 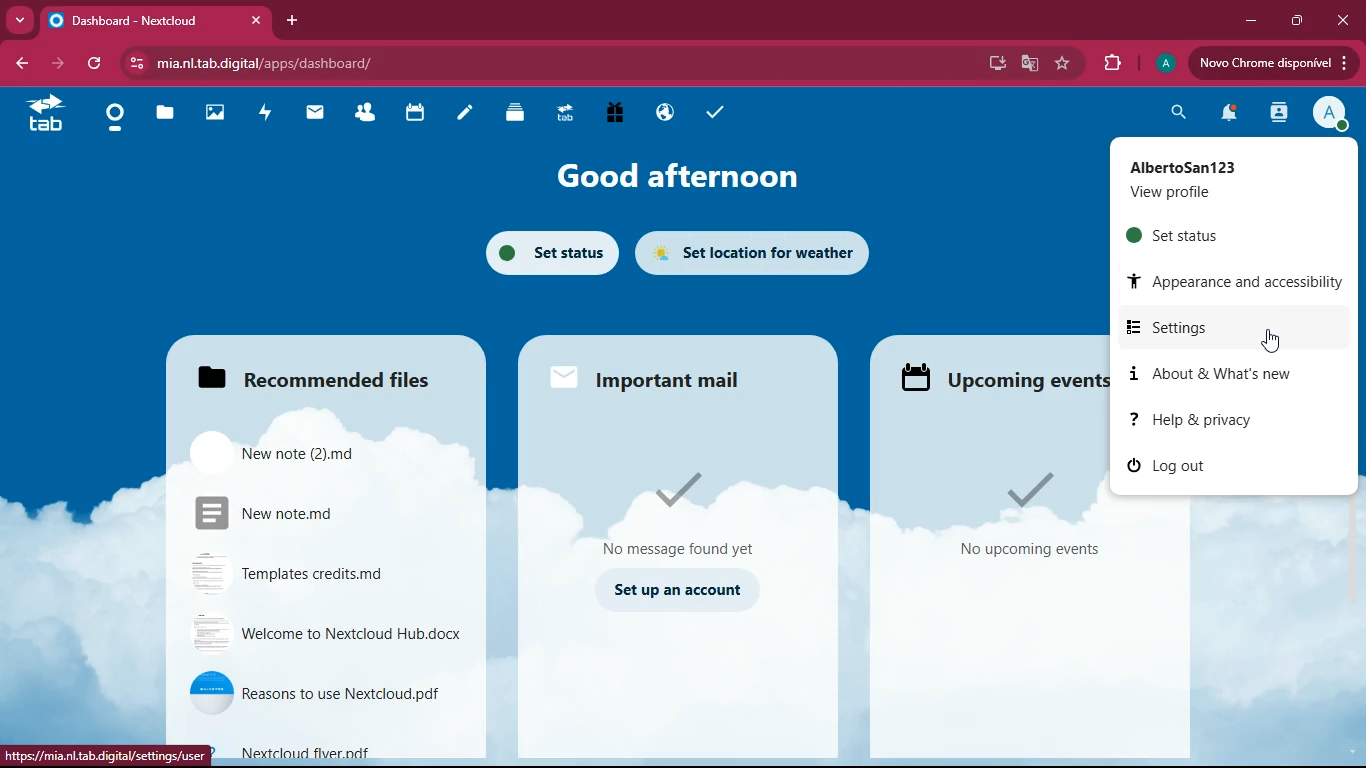 What do you see at coordinates (327, 514) in the screenshot?
I see `file` at bounding box center [327, 514].